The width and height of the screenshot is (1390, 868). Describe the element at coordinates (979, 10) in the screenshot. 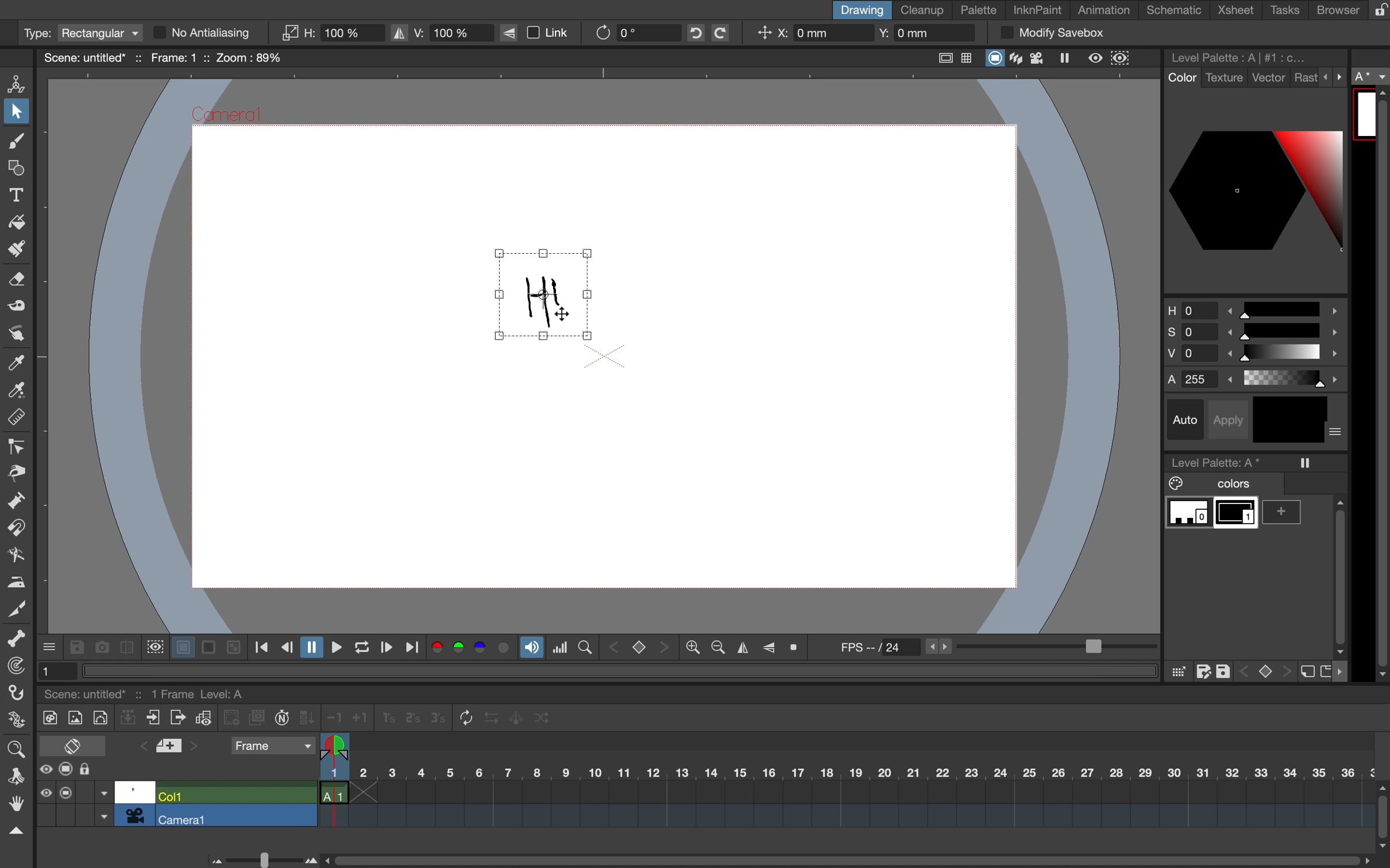

I see `palette` at that location.